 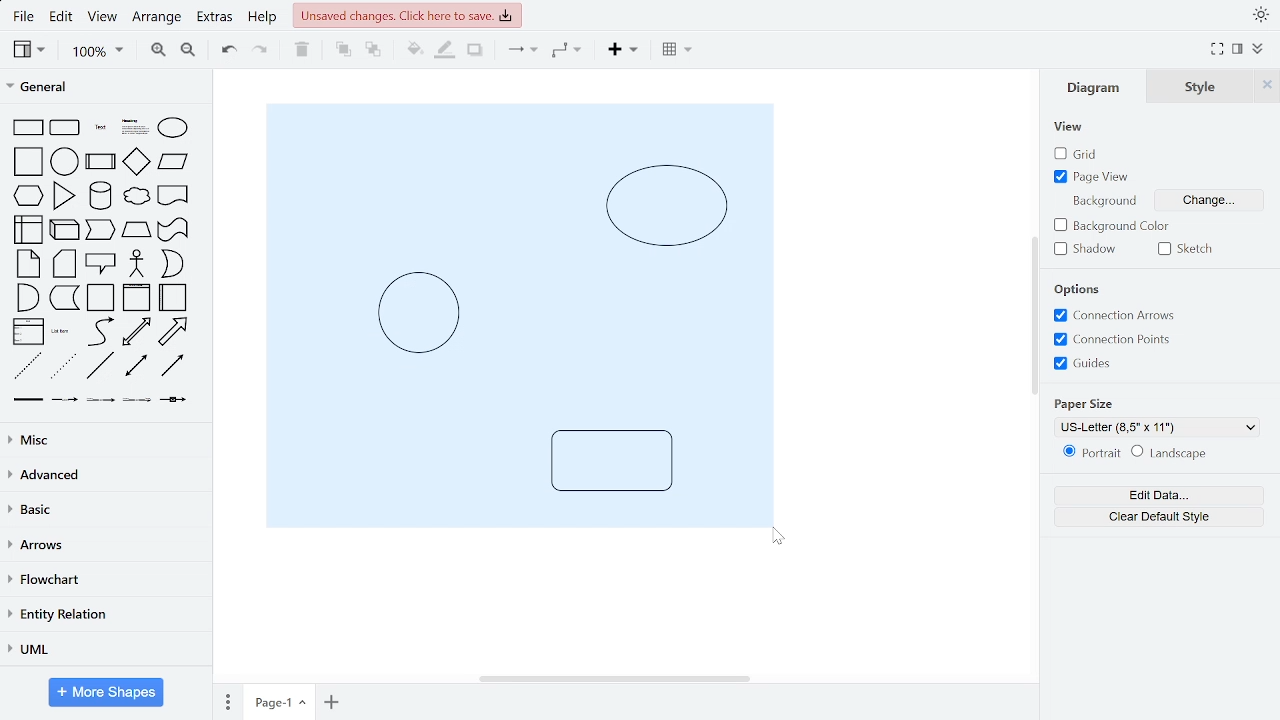 What do you see at coordinates (1082, 364) in the screenshot?
I see `guides` at bounding box center [1082, 364].